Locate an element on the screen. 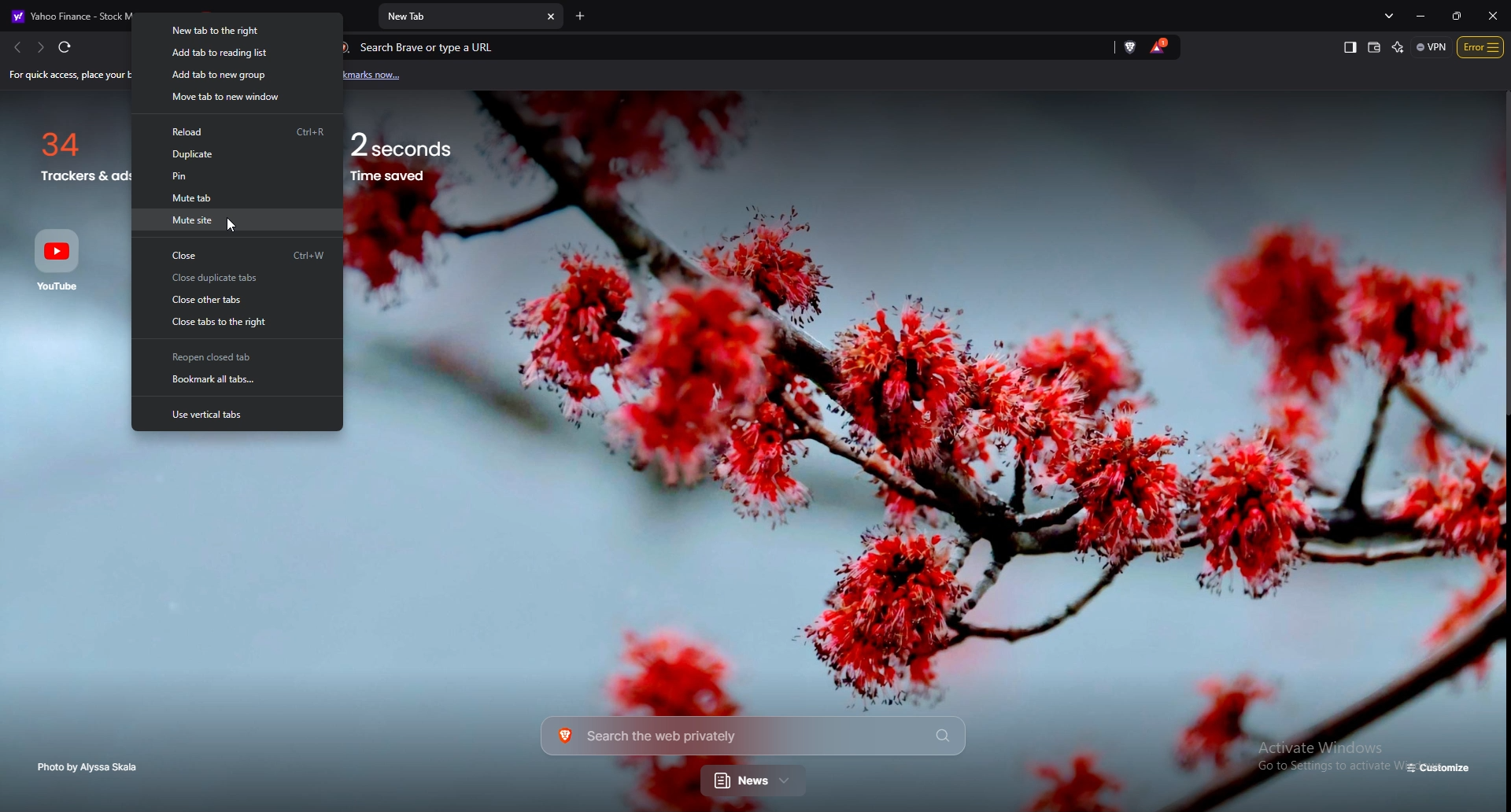 Image resolution: width=1511 pixels, height=812 pixels. forward is located at coordinates (39, 47).